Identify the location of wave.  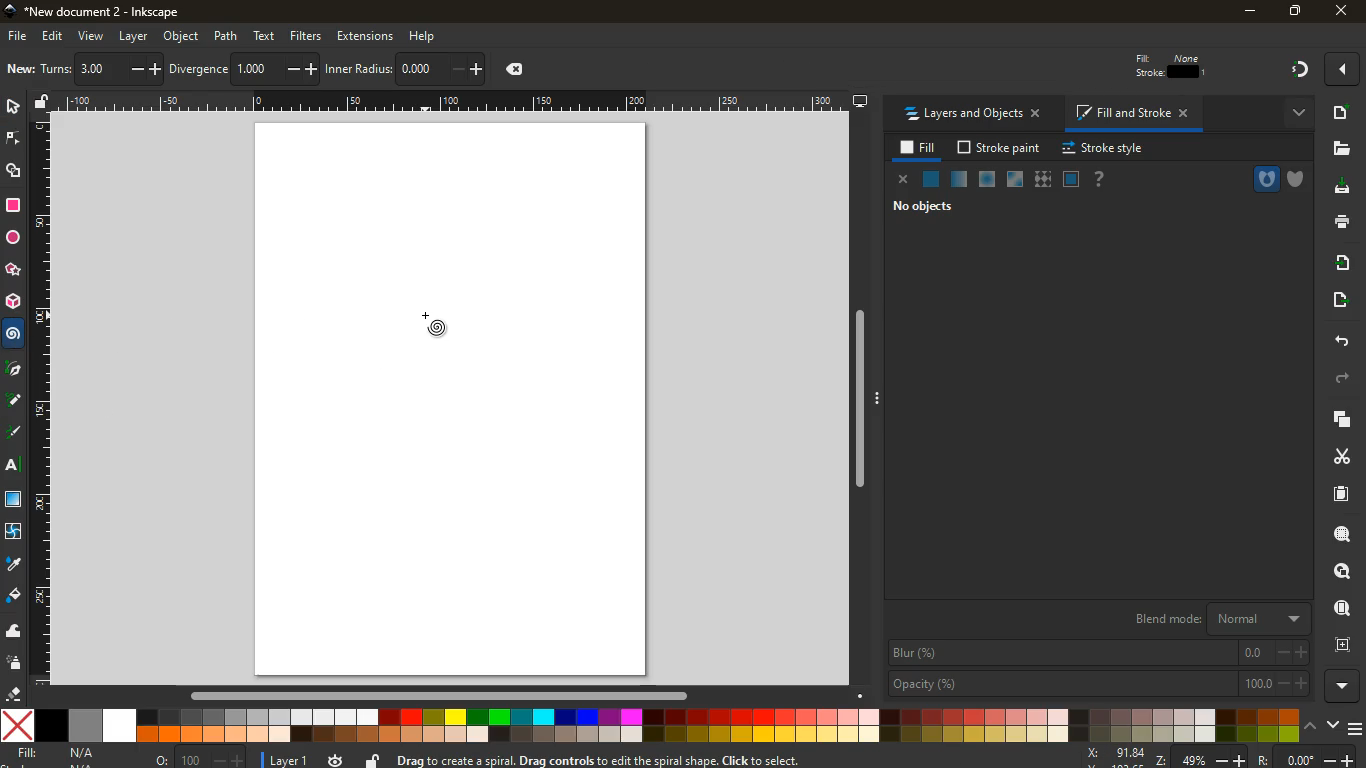
(14, 631).